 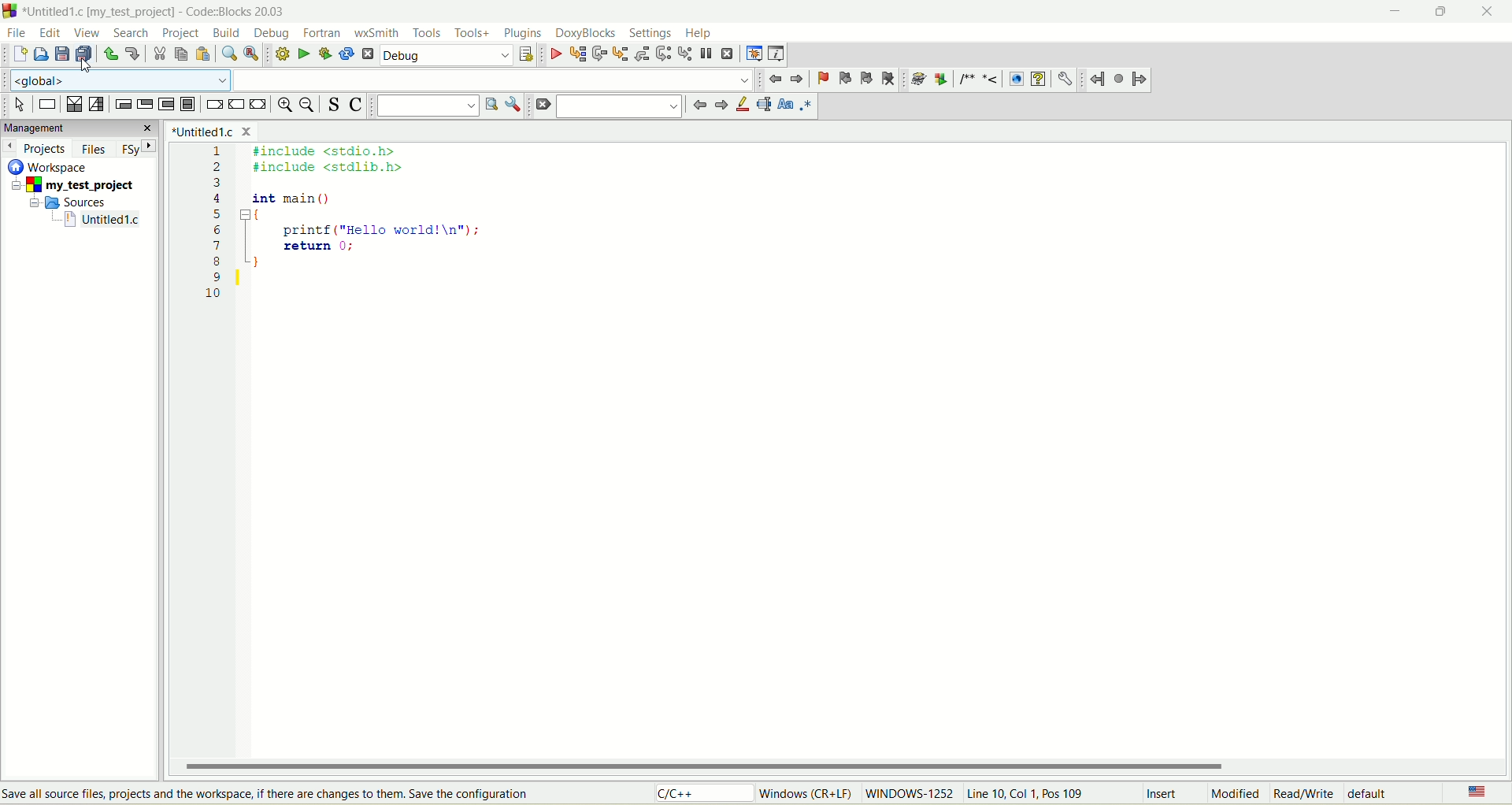 I want to click on open, so click(x=41, y=54).